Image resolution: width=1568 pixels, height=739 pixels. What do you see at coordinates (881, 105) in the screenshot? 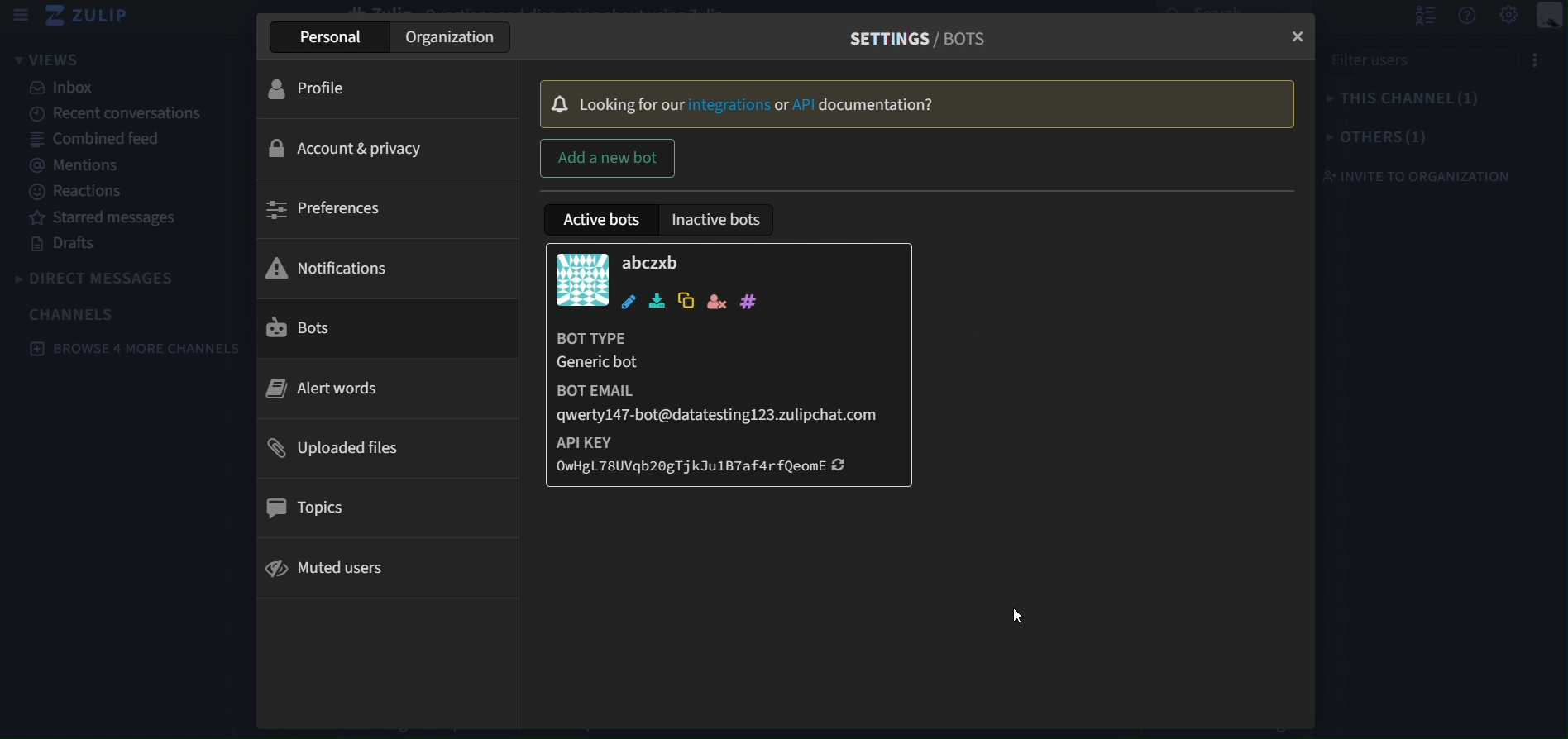
I see `document?` at bounding box center [881, 105].